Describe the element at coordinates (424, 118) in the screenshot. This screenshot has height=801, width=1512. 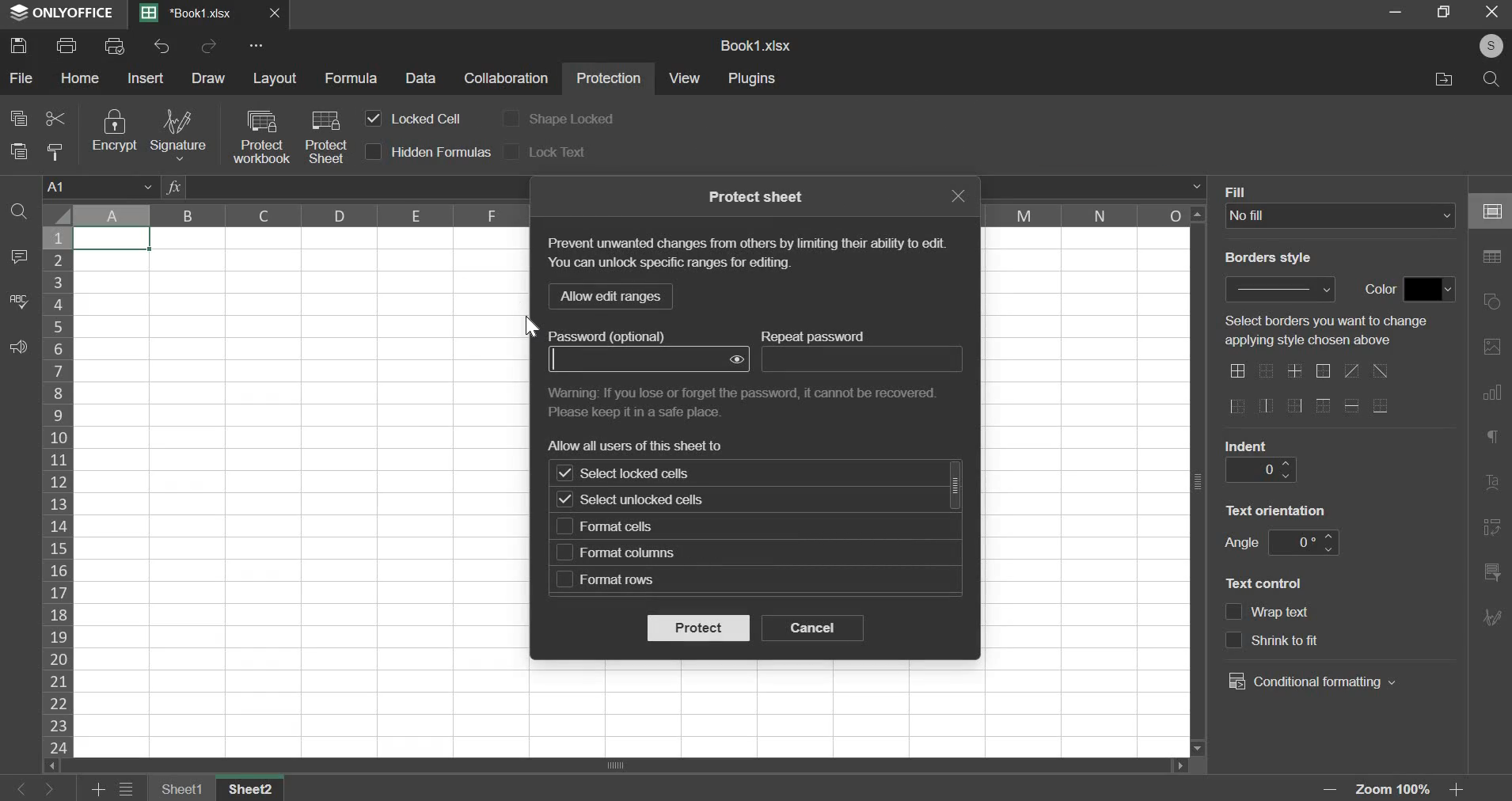
I see `locked cell` at that location.